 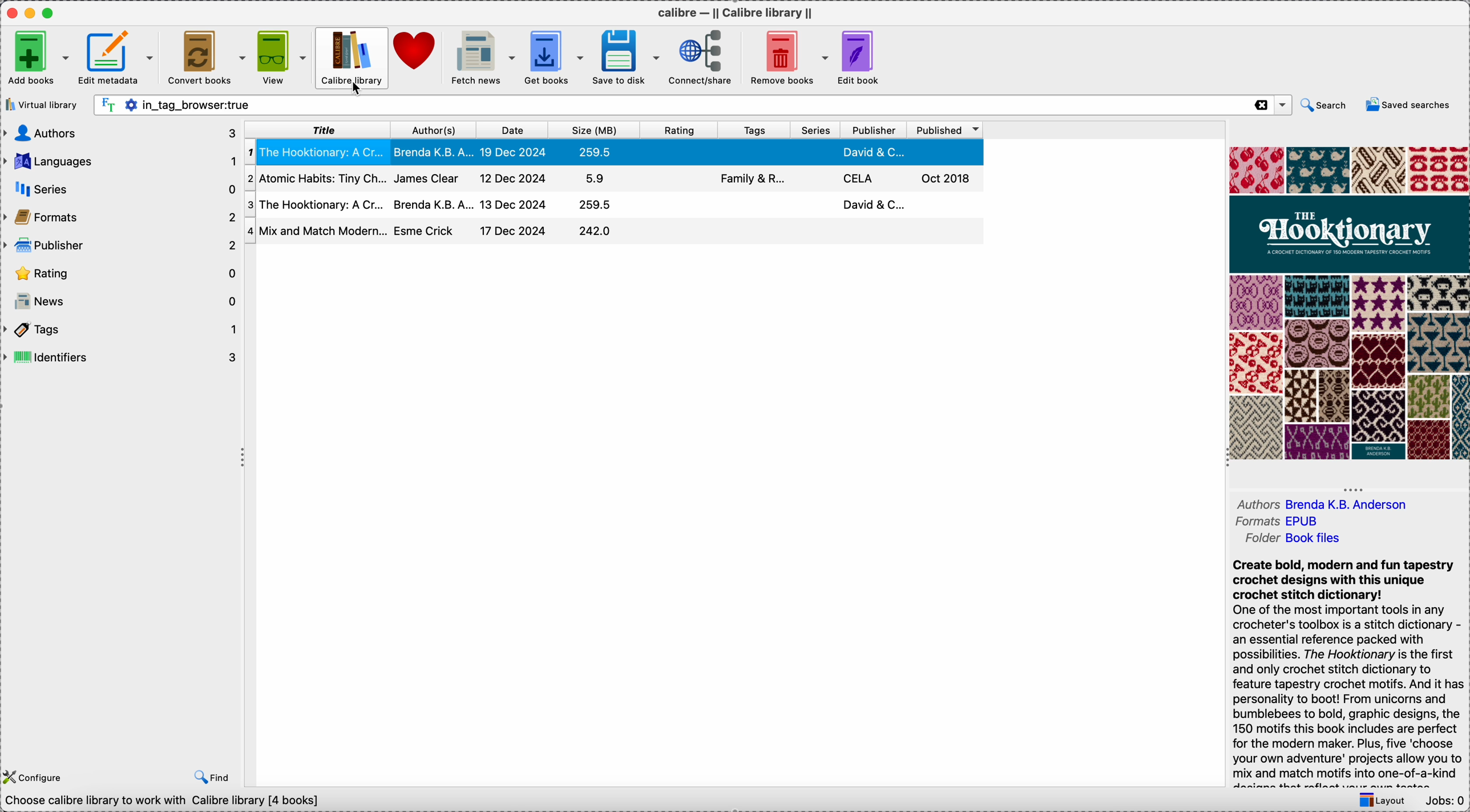 I want to click on publisher, so click(x=875, y=130).